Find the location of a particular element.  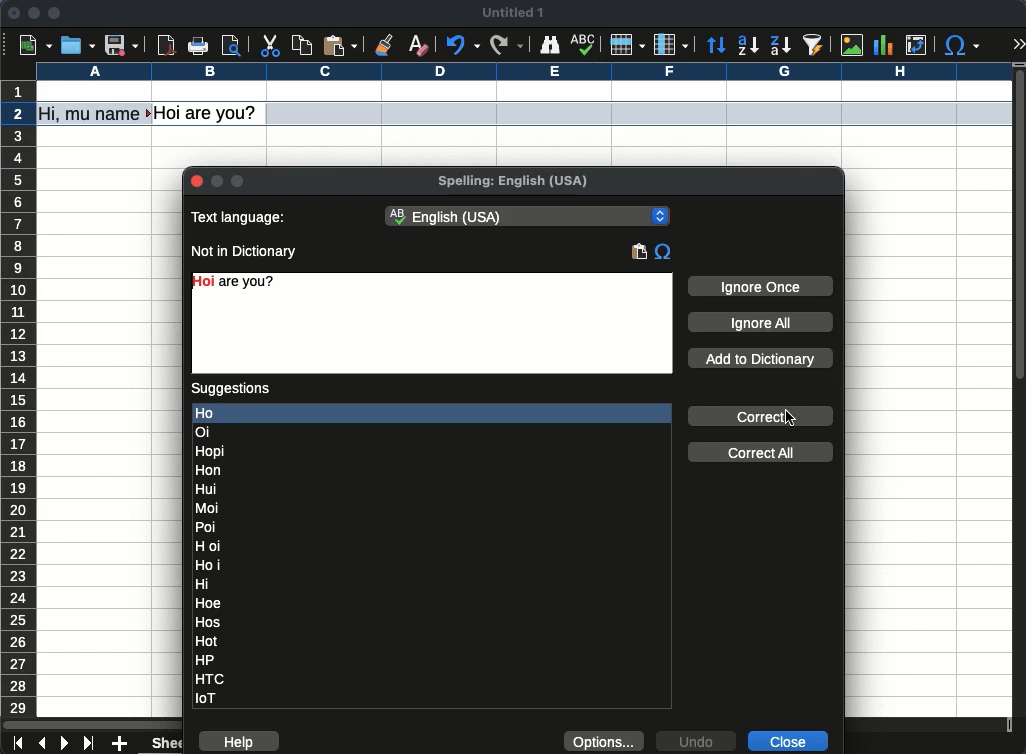

cut is located at coordinates (269, 46).